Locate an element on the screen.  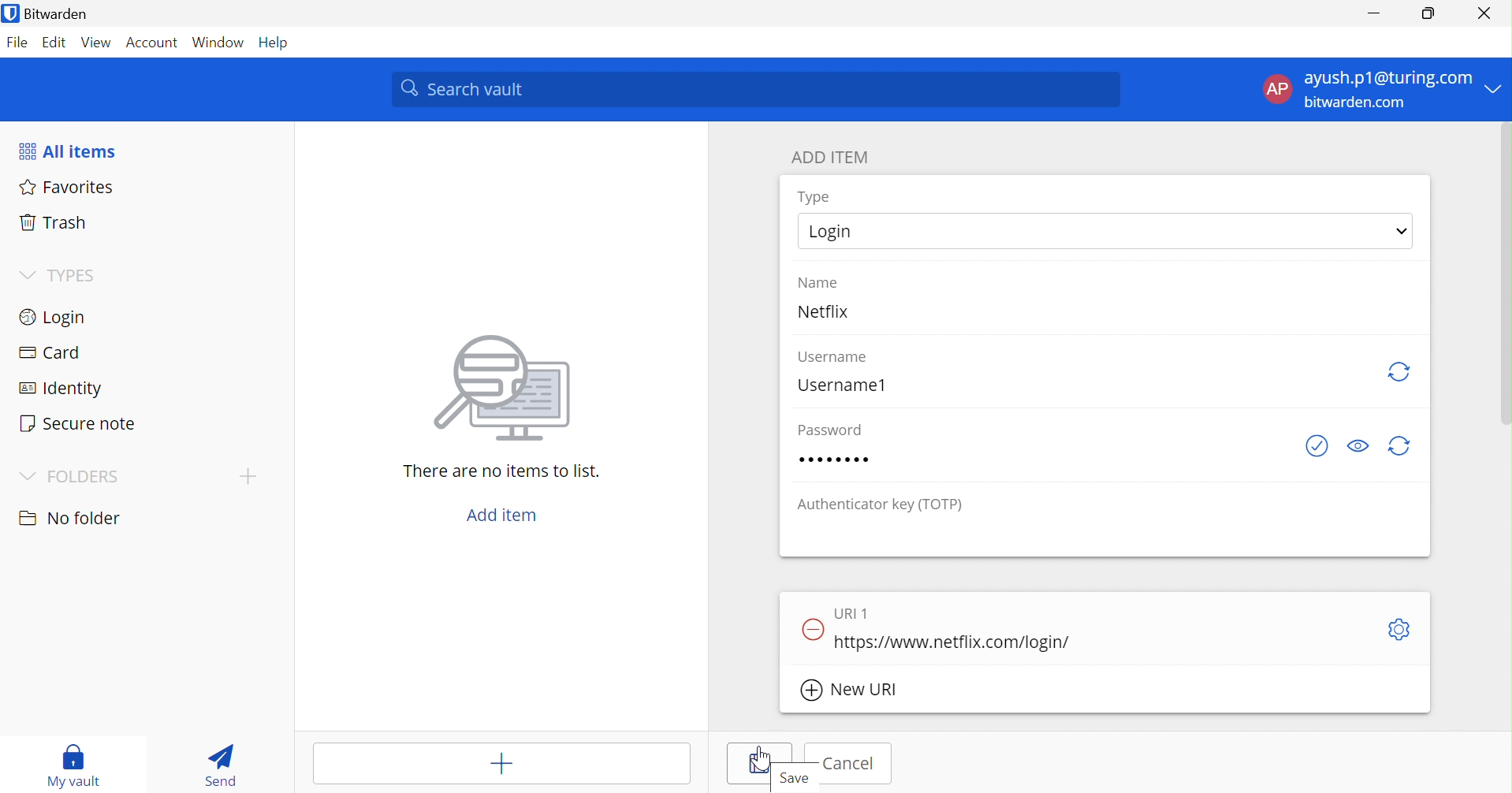
image is located at coordinates (496, 393).